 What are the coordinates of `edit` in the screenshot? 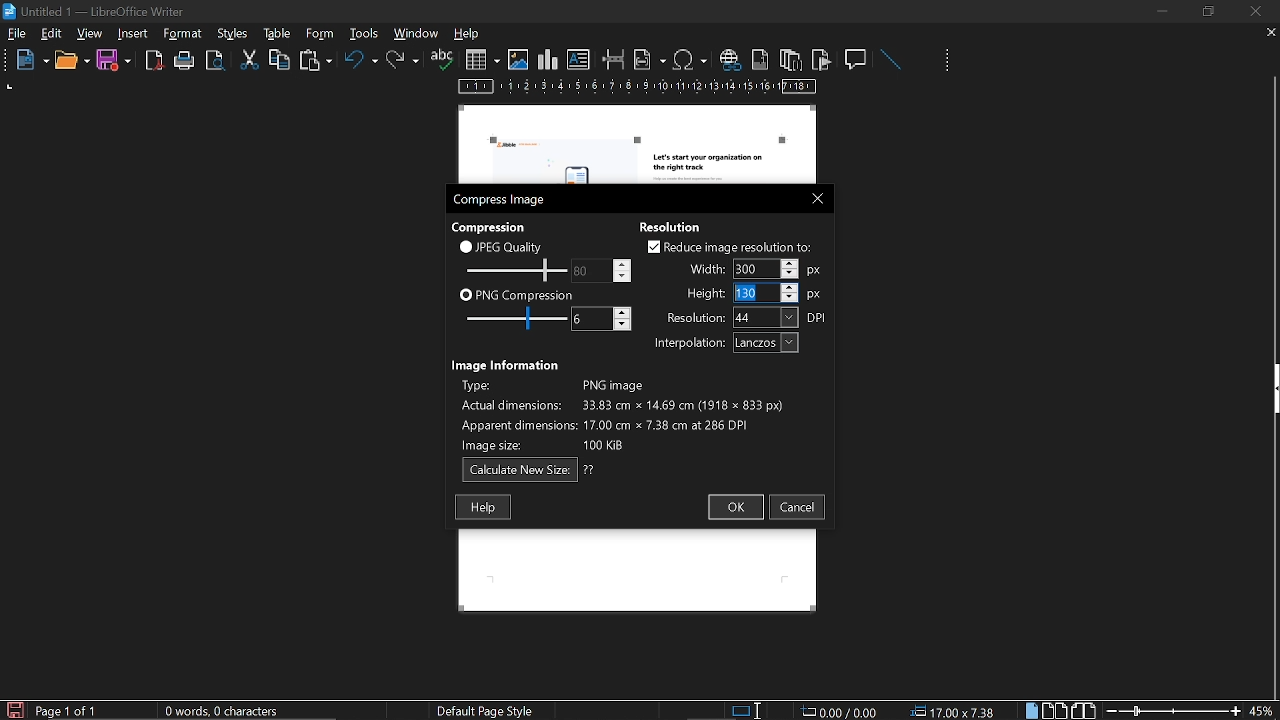 It's located at (52, 35).